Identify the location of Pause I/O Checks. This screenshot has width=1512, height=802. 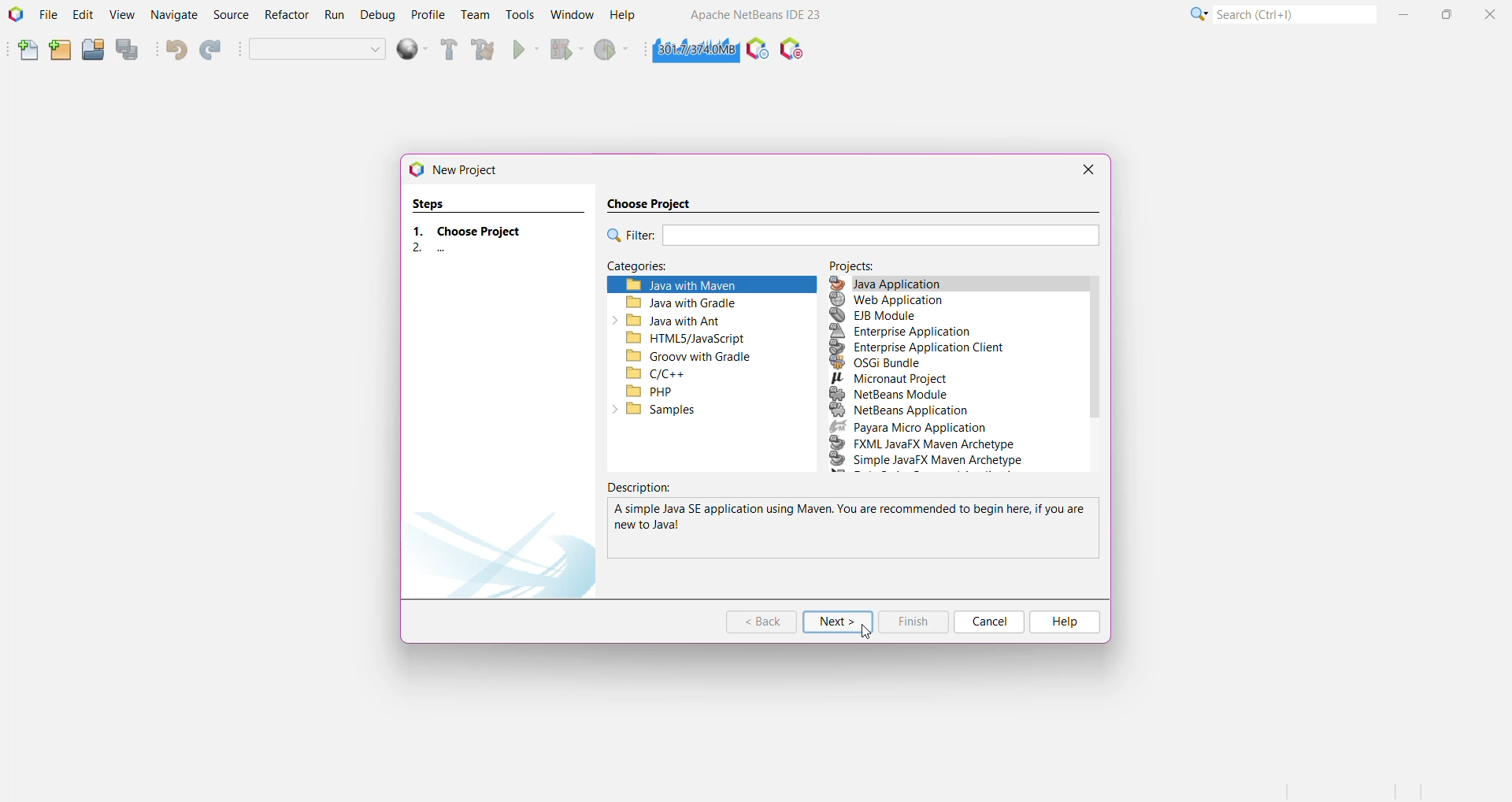
(793, 51).